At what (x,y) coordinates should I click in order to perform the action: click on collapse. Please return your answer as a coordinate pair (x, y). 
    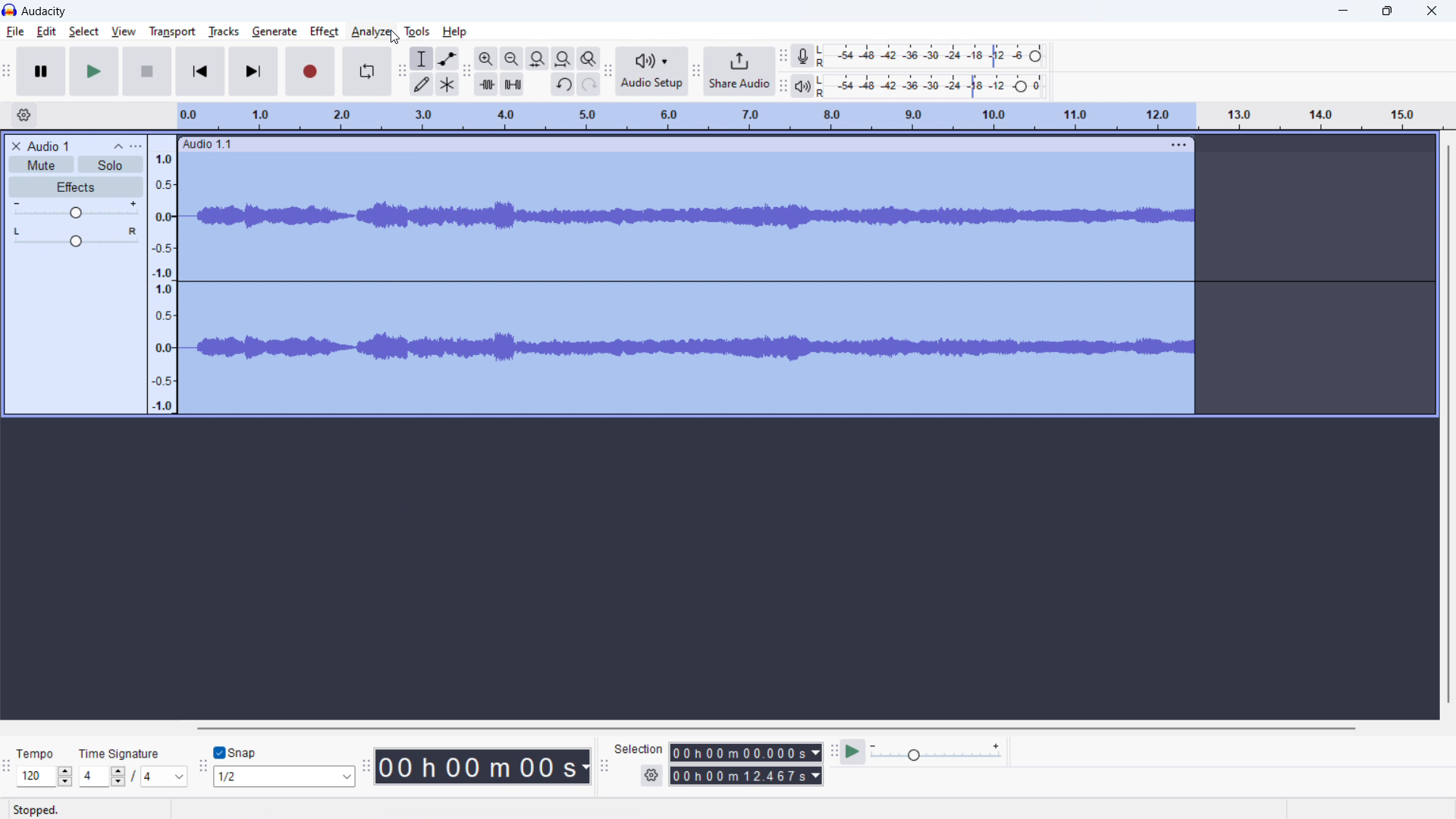
    Looking at the image, I should click on (116, 146).